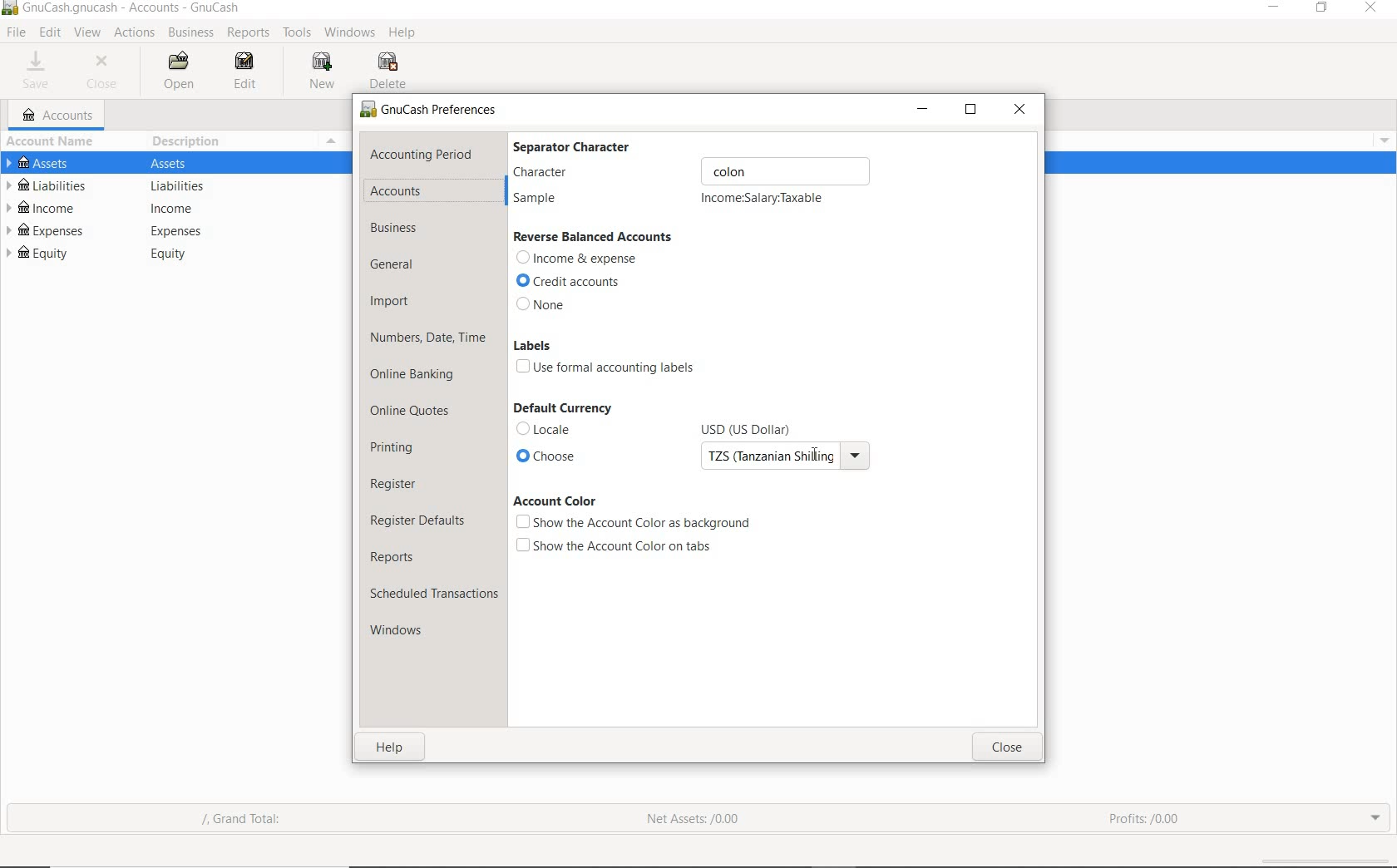 This screenshot has height=868, width=1397. Describe the element at coordinates (923, 108) in the screenshot. I see `minimize` at that location.